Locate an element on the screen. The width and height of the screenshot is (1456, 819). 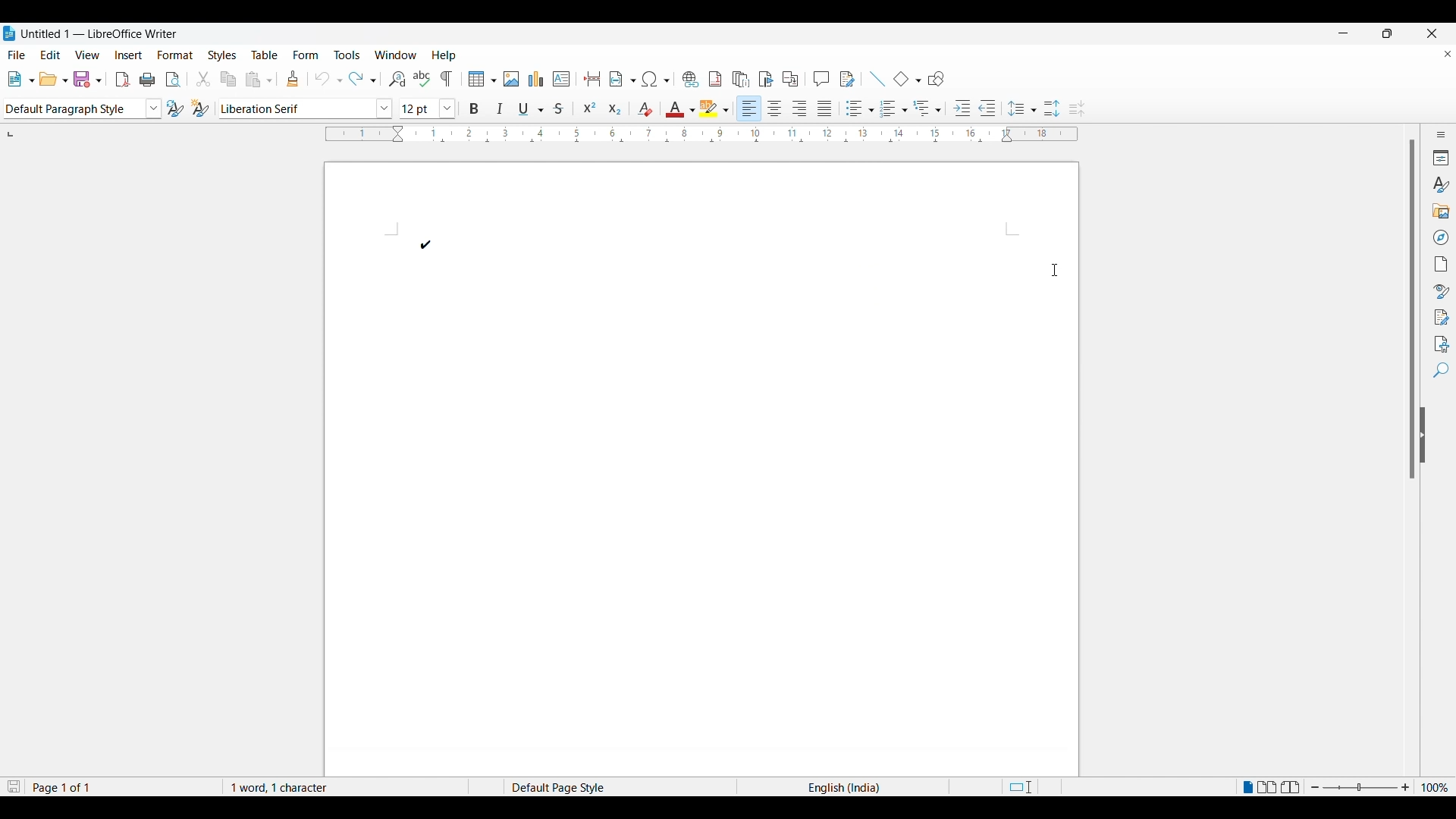
align right is located at coordinates (803, 107).